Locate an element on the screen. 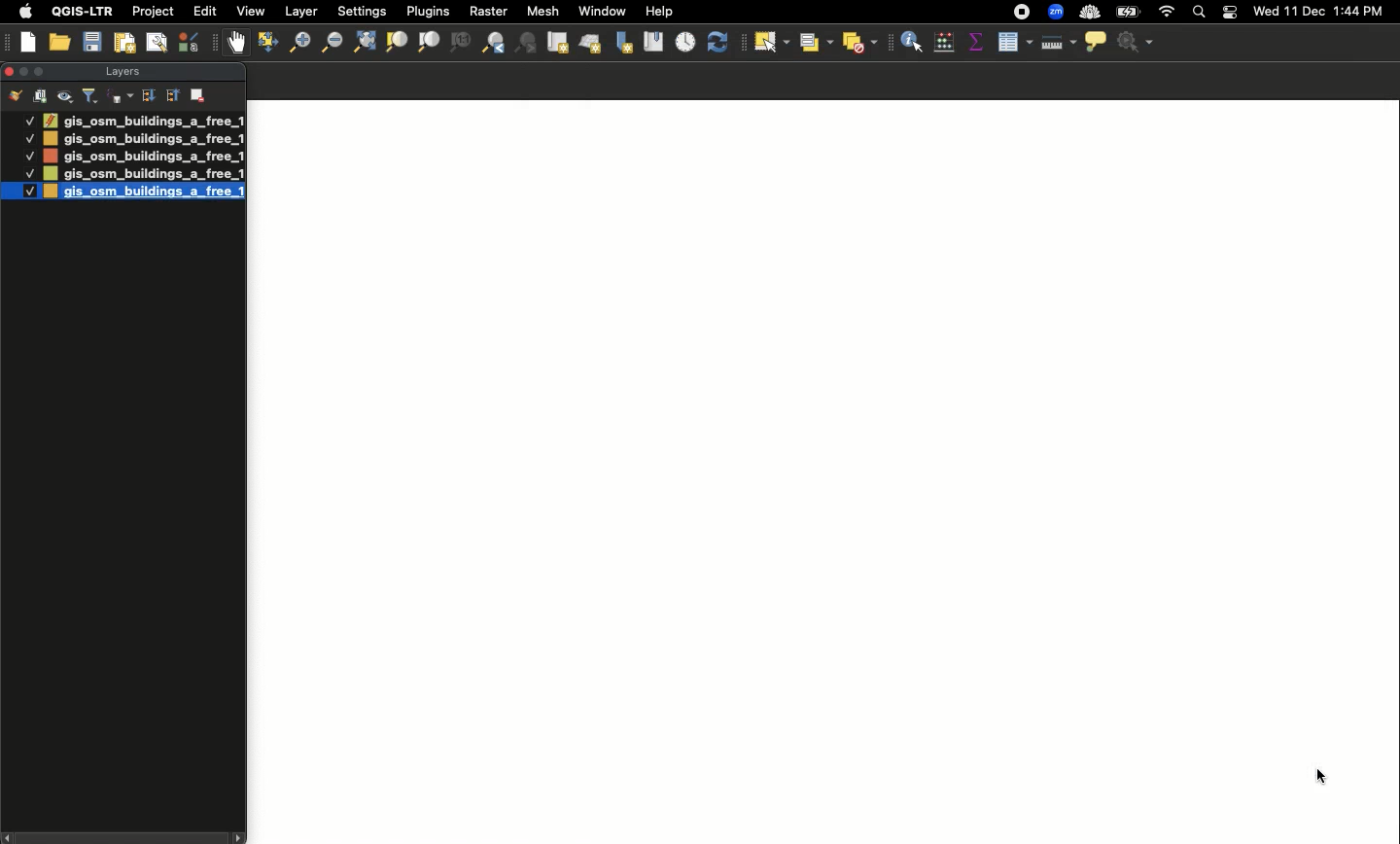 This screenshot has height=844, width=1400. Style manager is located at coordinates (265, 43).